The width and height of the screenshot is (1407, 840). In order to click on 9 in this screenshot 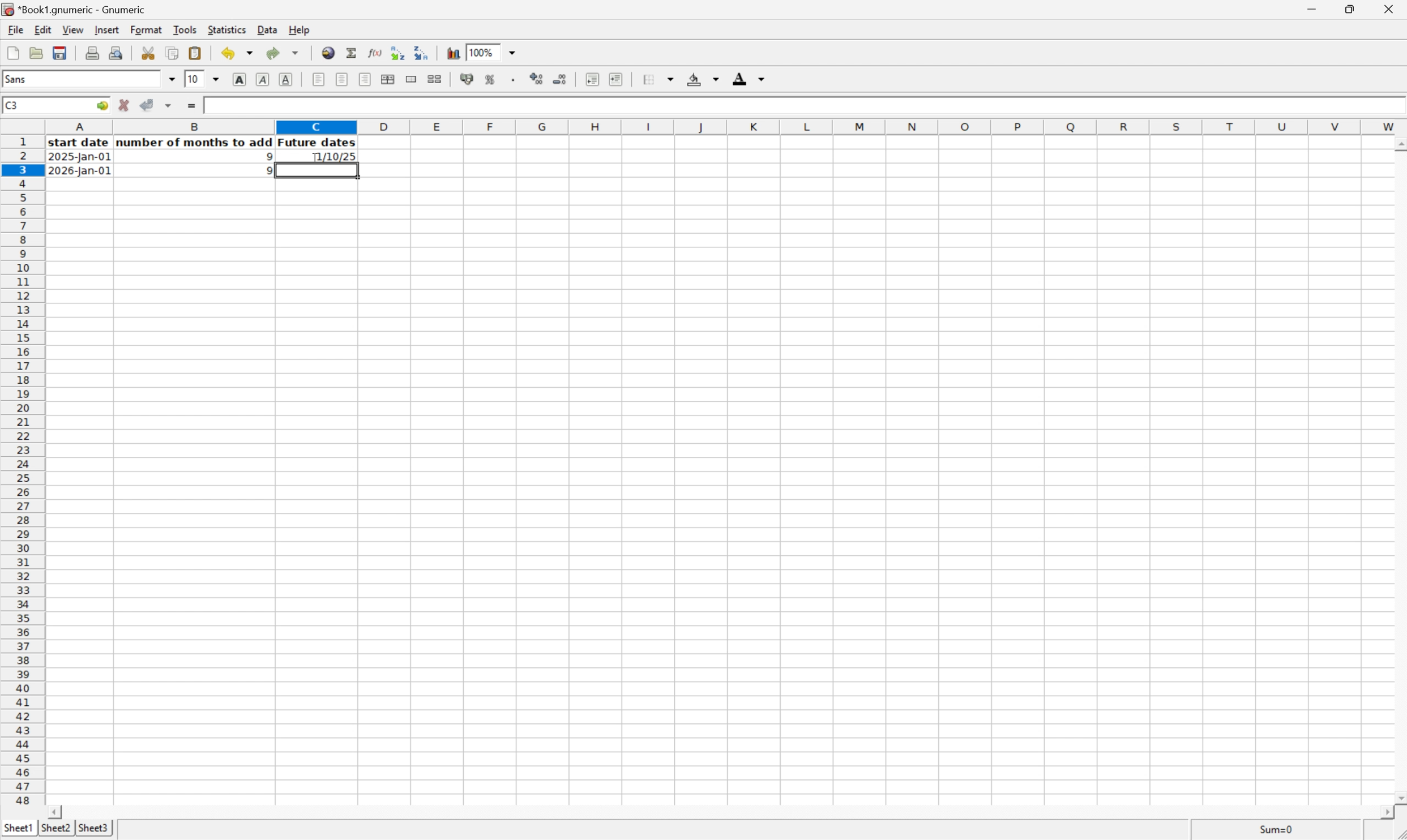, I will do `click(265, 172)`.